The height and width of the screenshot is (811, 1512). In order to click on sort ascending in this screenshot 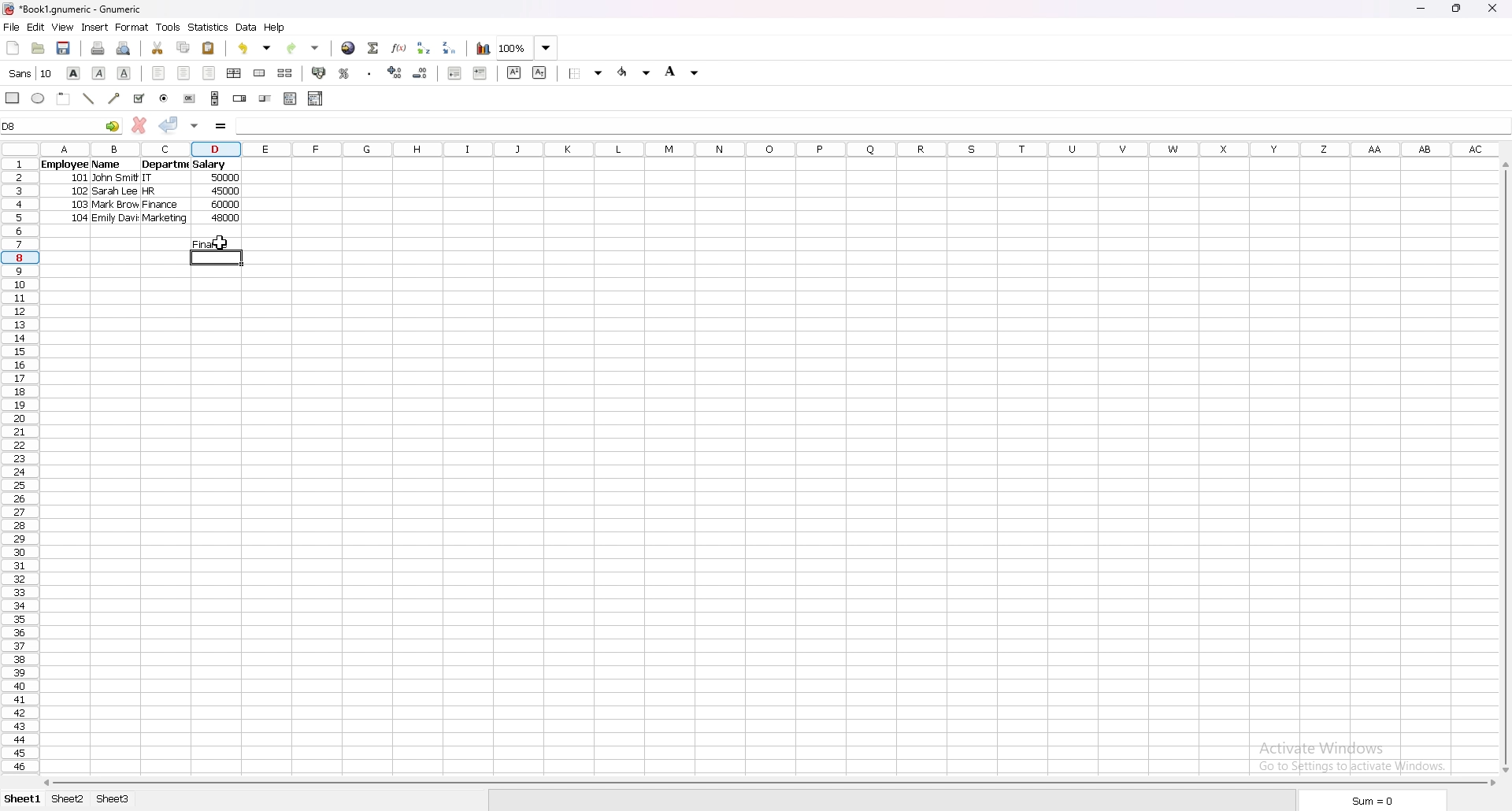, I will do `click(424, 47)`.